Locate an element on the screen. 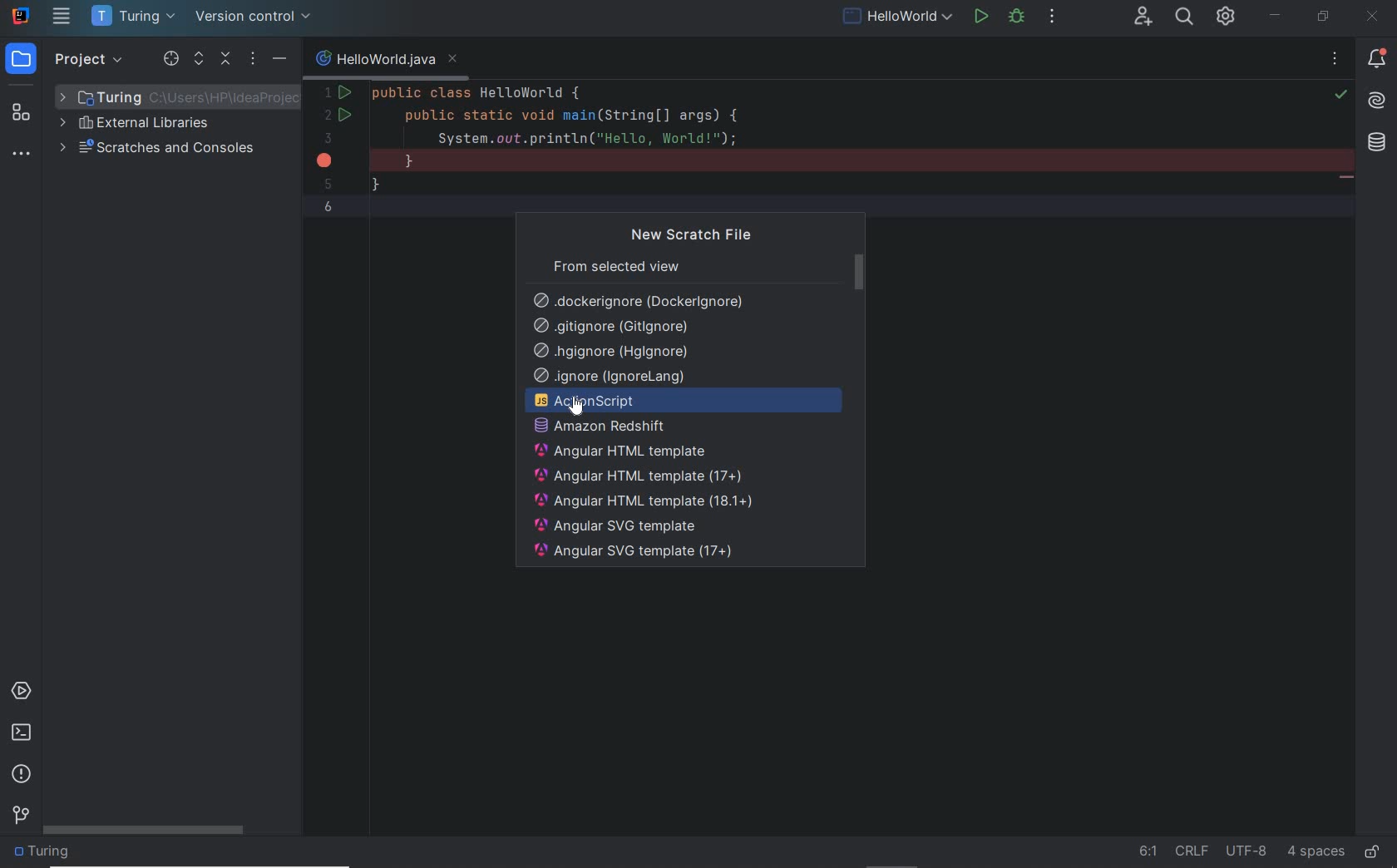 This screenshot has width=1397, height=868. expand selected is located at coordinates (200, 58).